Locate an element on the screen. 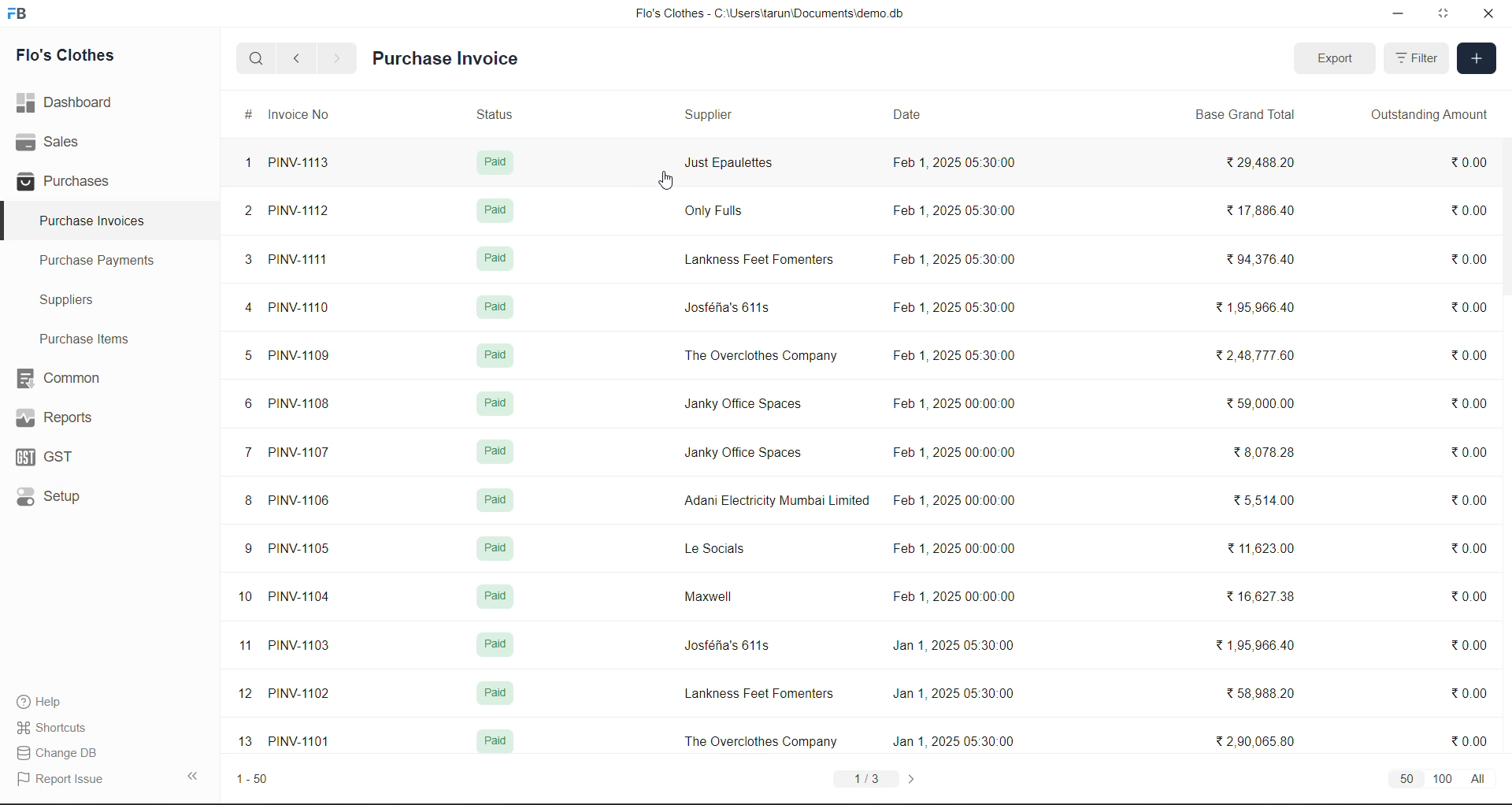  ₹0.00 is located at coordinates (1468, 407).